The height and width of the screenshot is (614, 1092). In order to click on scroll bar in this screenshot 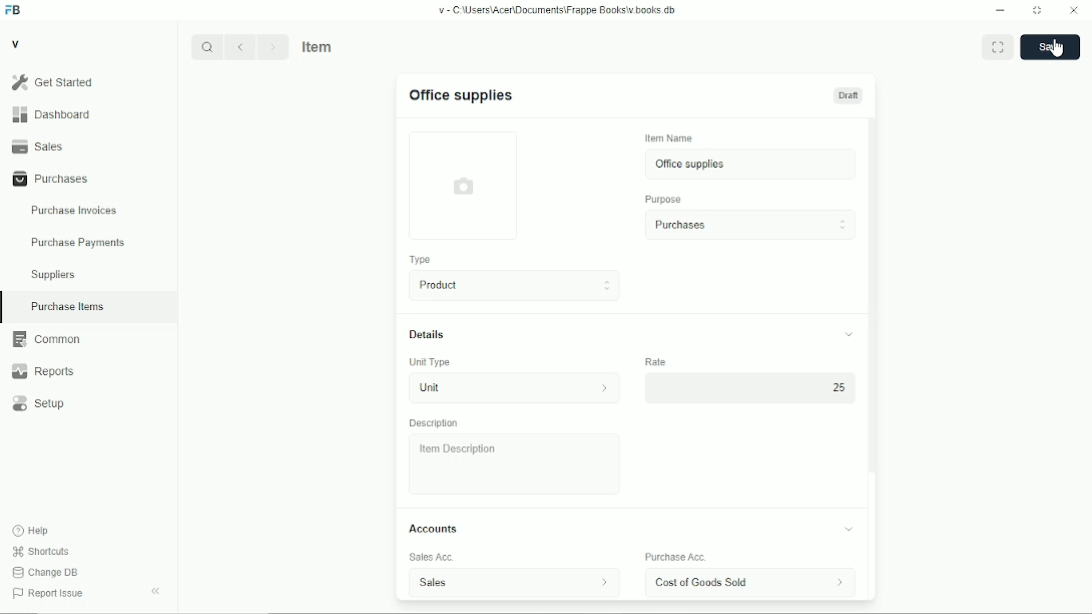, I will do `click(872, 358)`.